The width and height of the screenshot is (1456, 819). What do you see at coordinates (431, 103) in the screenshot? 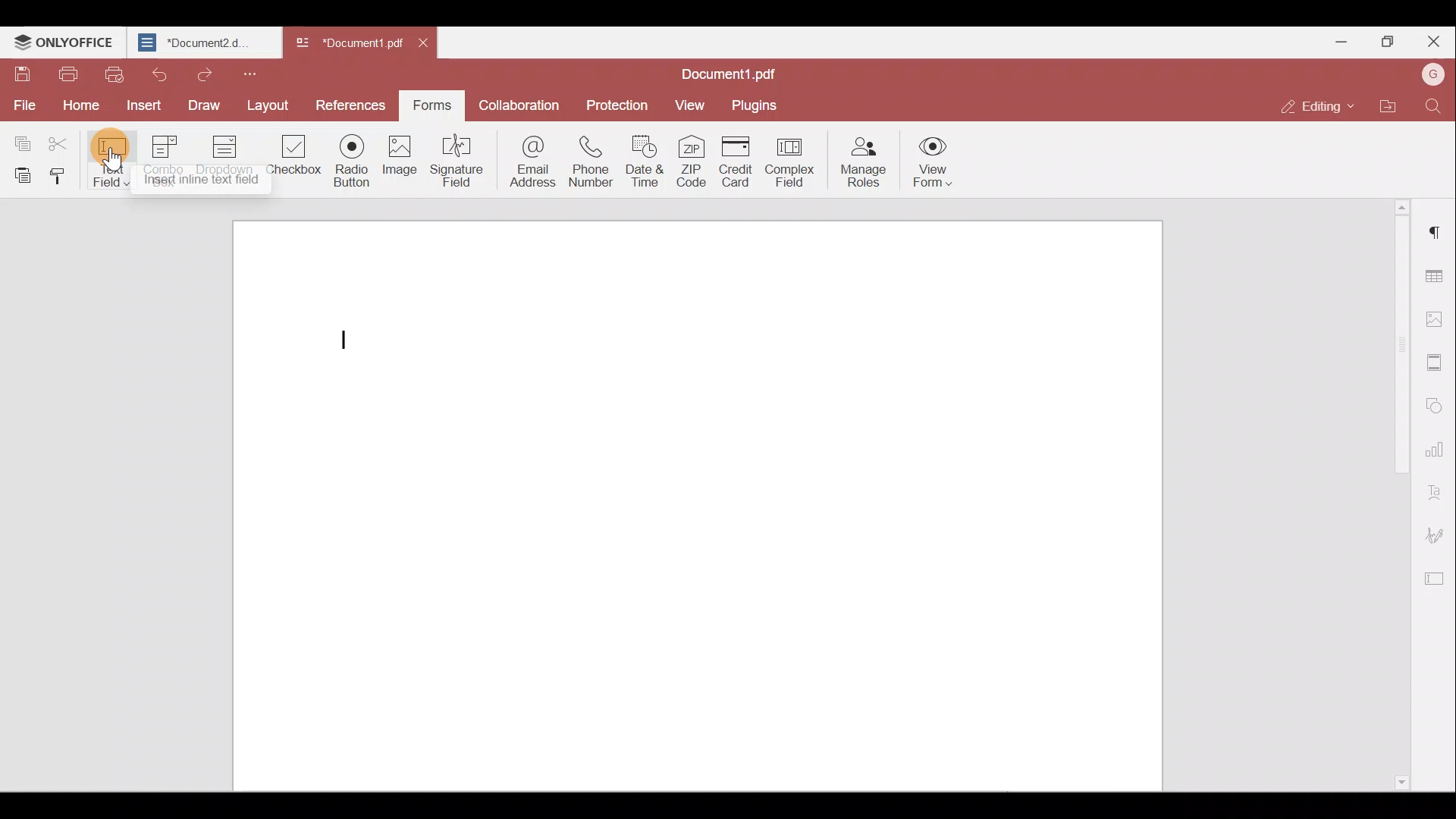
I see `Form` at bounding box center [431, 103].